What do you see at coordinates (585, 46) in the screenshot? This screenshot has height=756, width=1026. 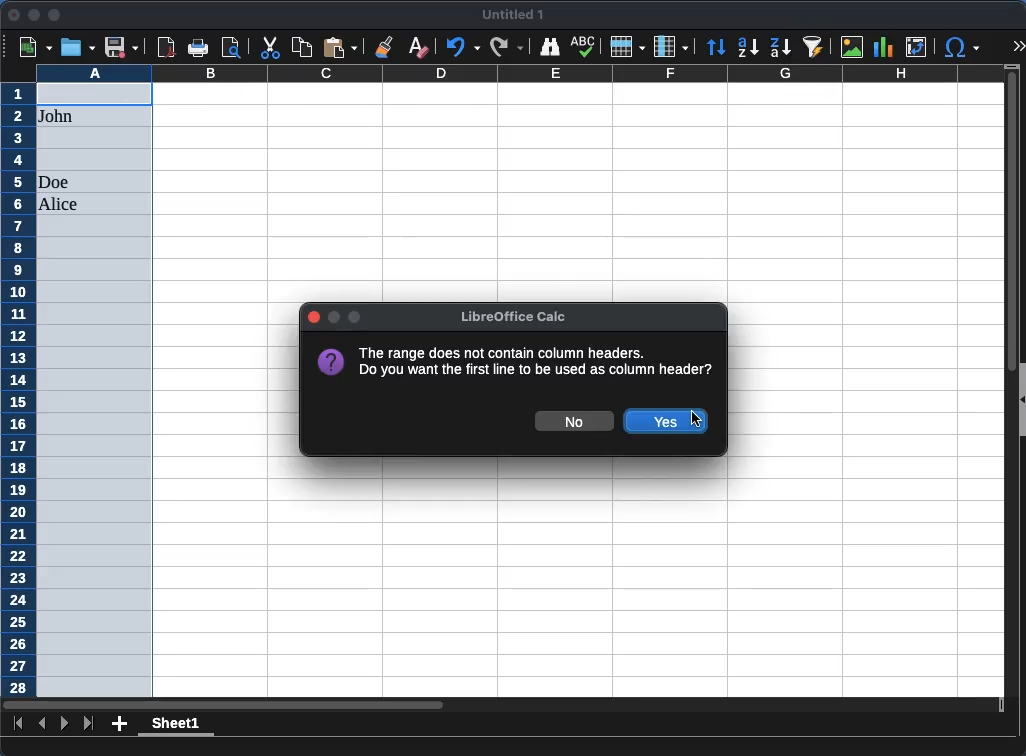 I see `spell check` at bounding box center [585, 46].